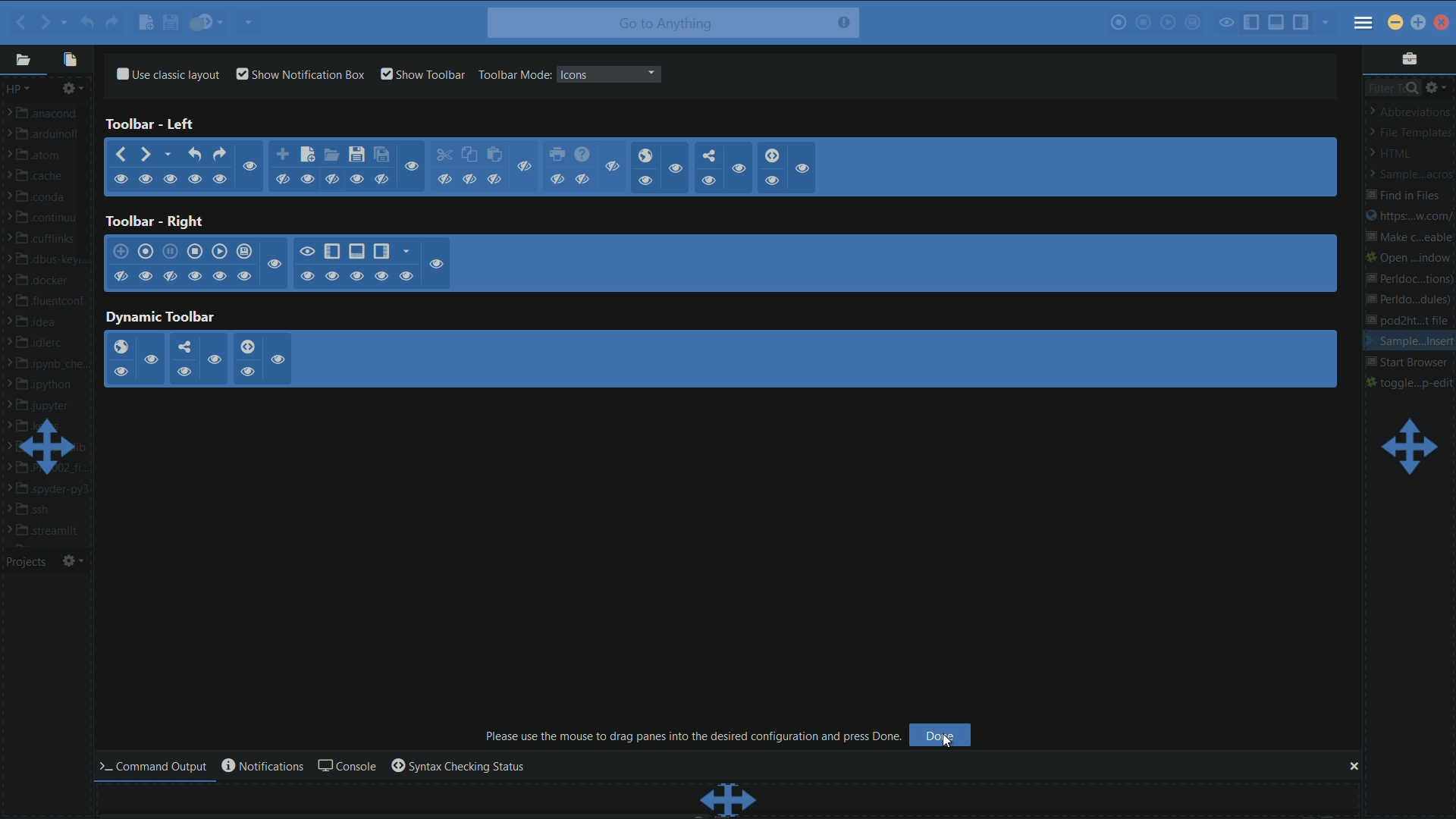 Image resolution: width=1456 pixels, height=819 pixels. Describe the element at coordinates (196, 154) in the screenshot. I see `undo` at that location.